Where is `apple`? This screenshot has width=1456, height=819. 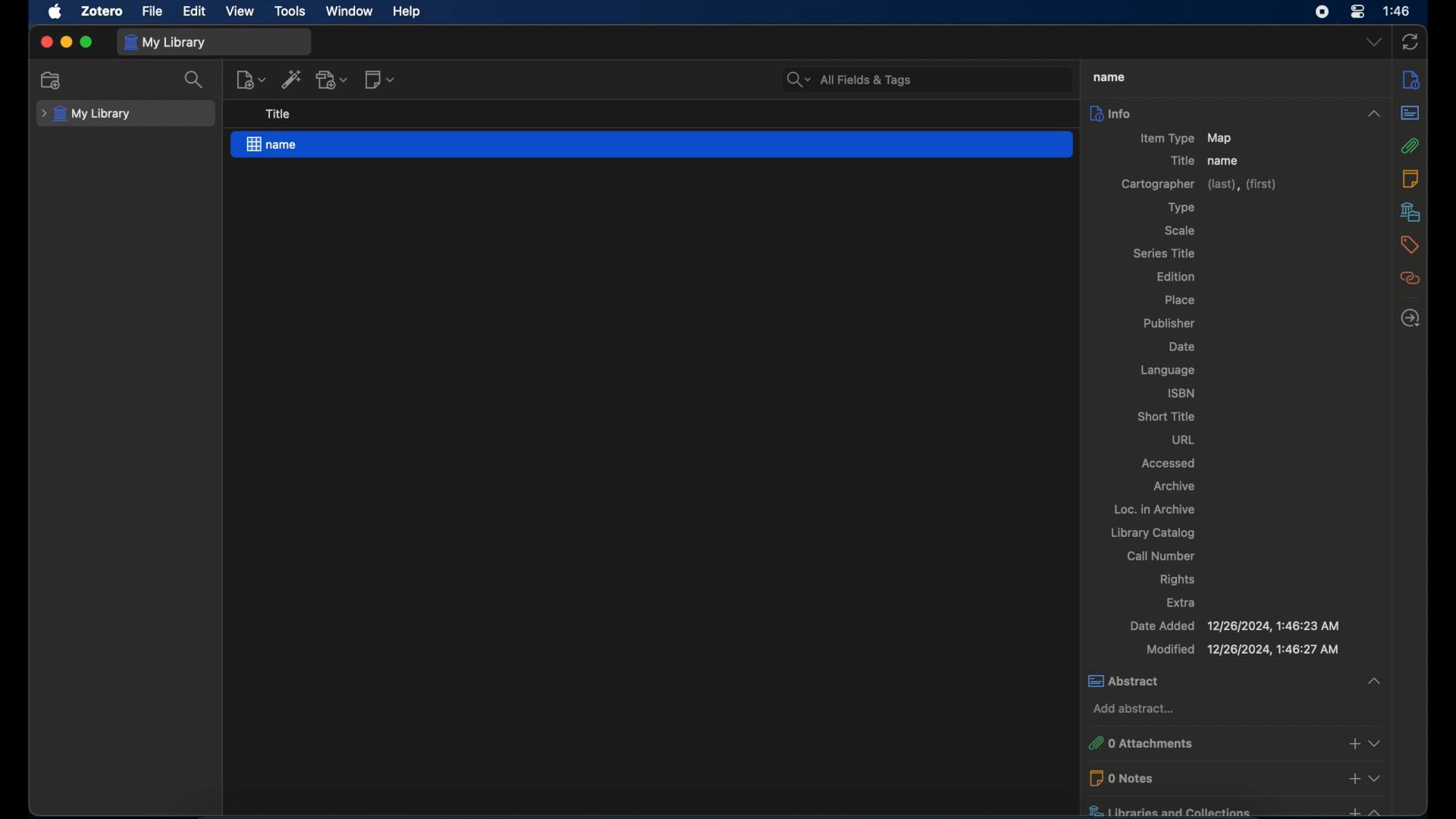 apple is located at coordinates (54, 12).